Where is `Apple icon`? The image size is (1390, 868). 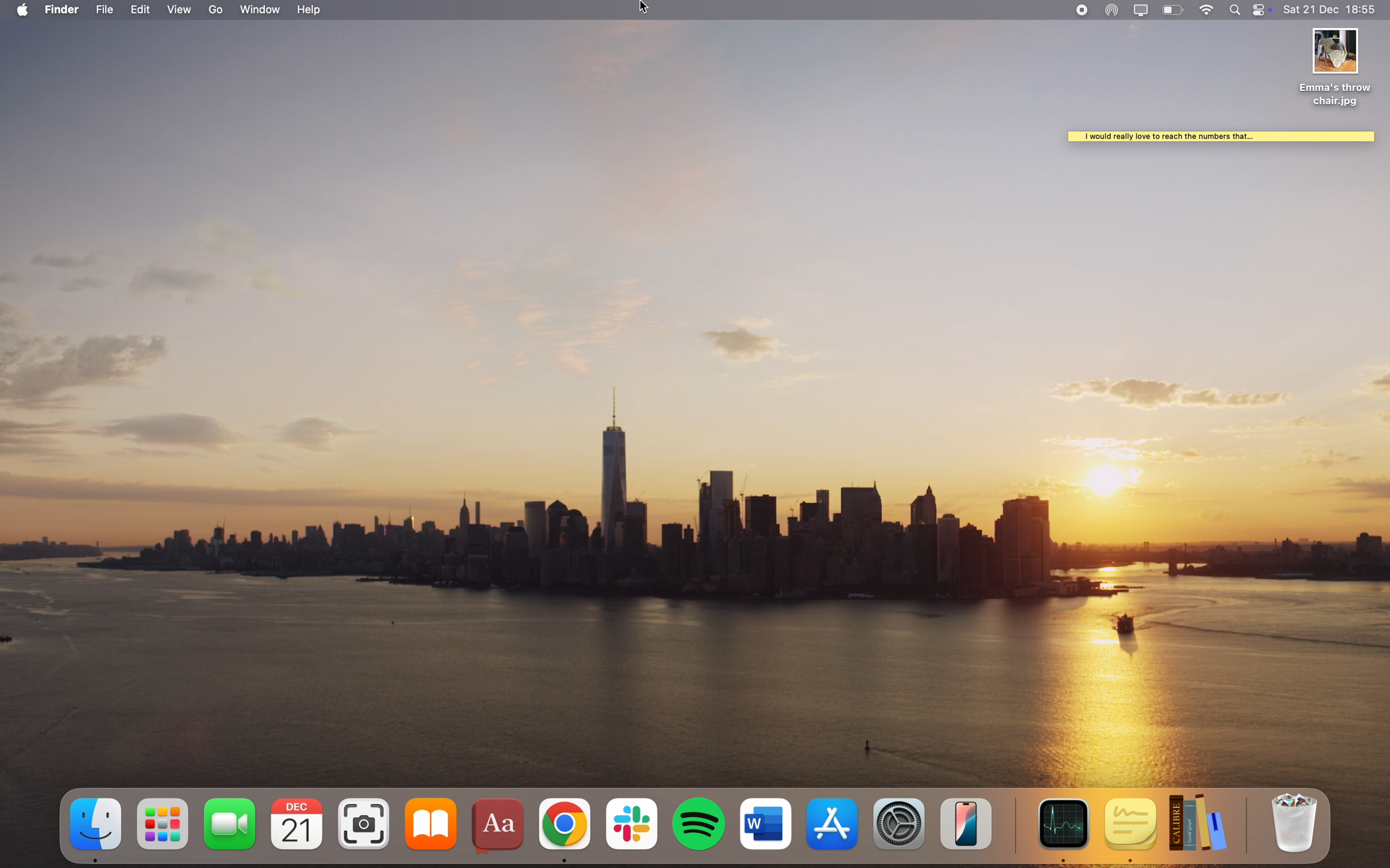 Apple icon is located at coordinates (19, 9).